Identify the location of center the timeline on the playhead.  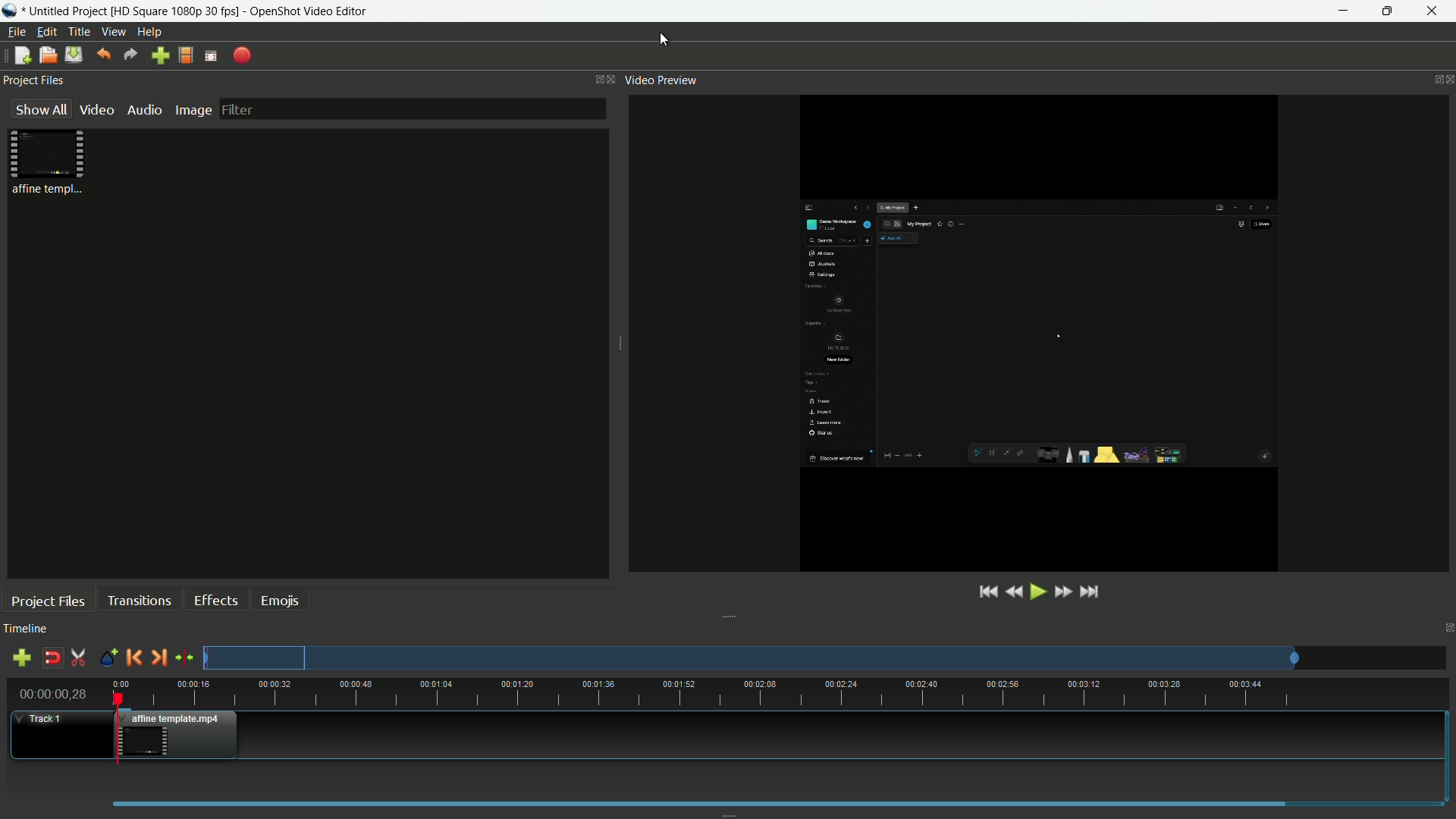
(184, 657).